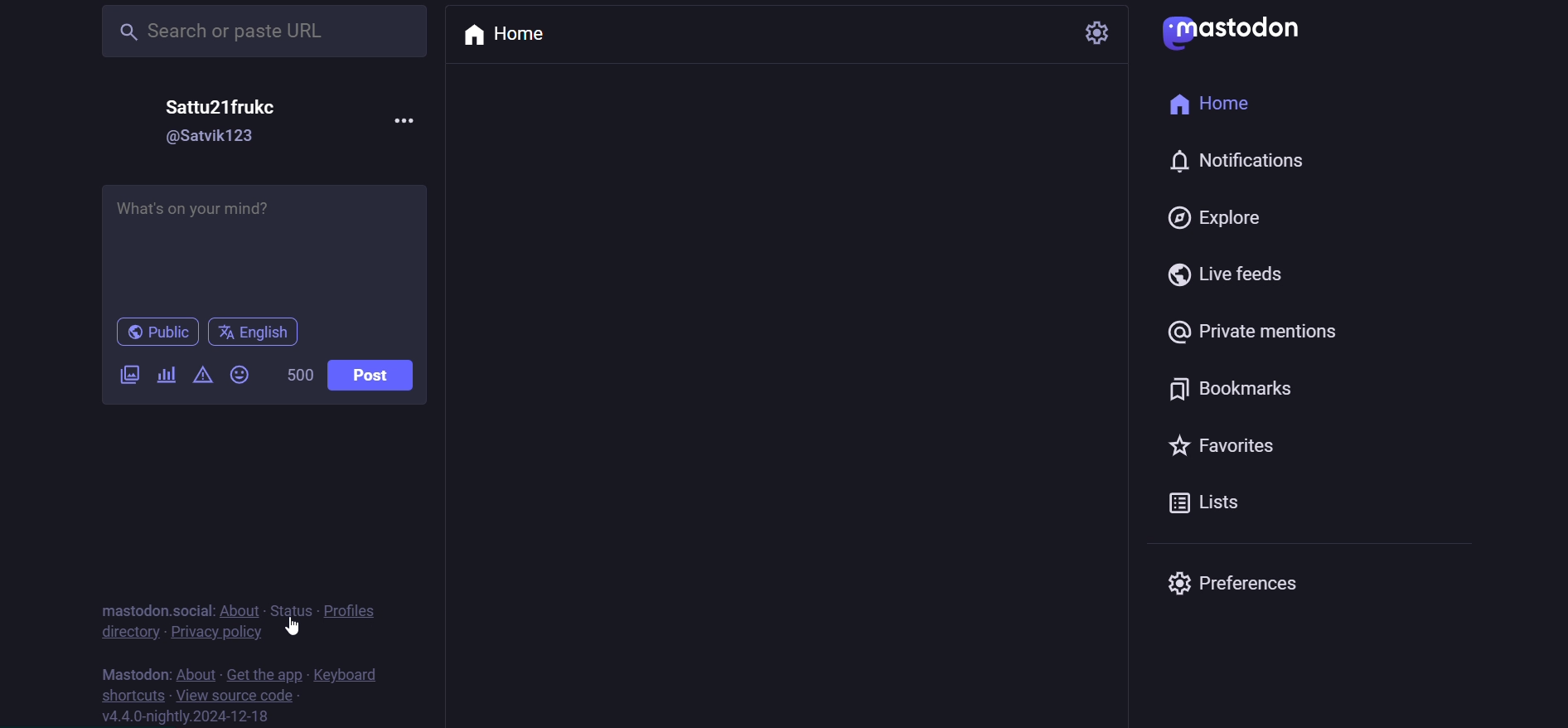 The image size is (1568, 728). Describe the element at coordinates (134, 672) in the screenshot. I see `mastodon` at that location.